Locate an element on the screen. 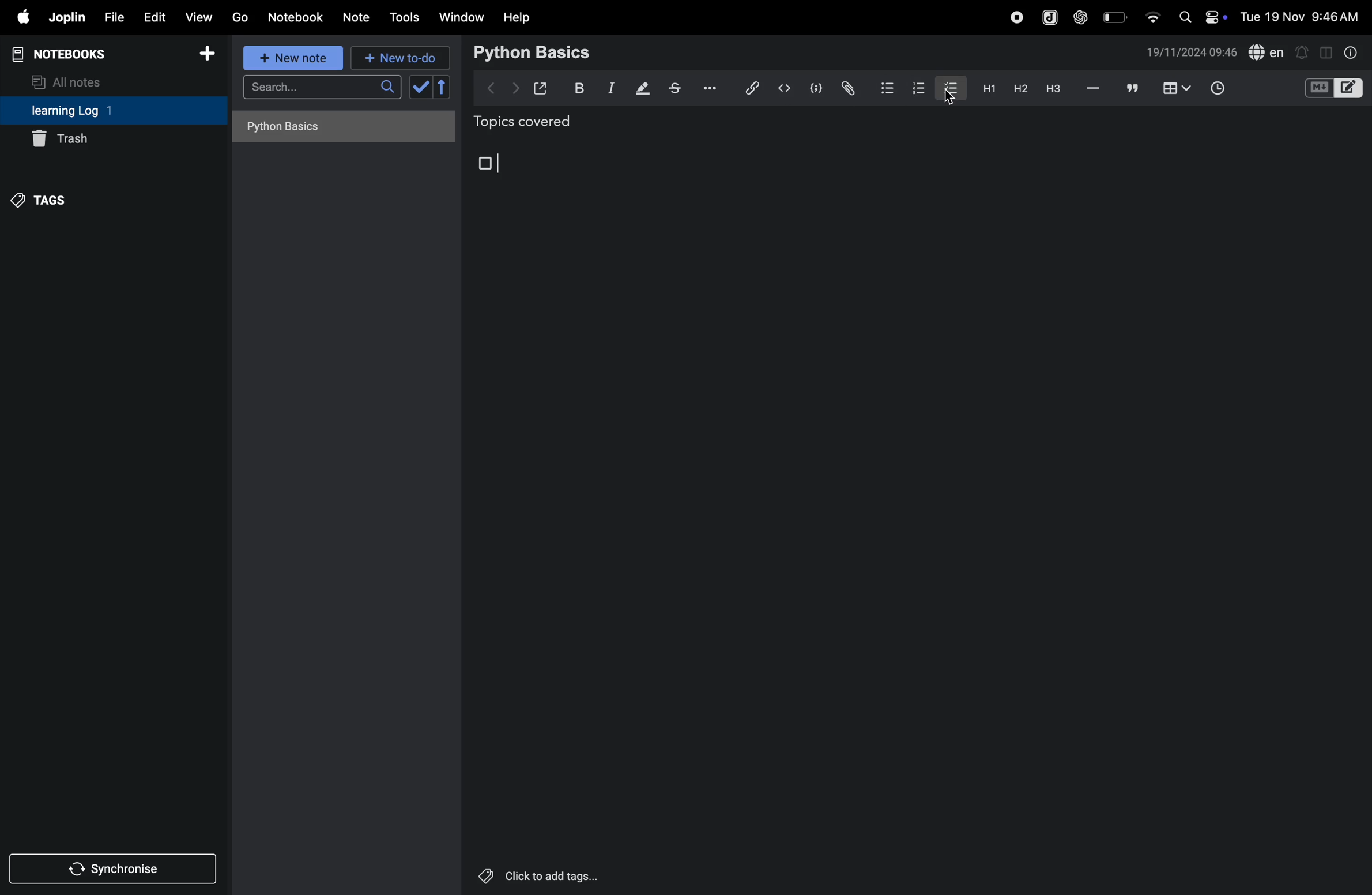 The width and height of the screenshot is (1372, 895). numbered list is located at coordinates (915, 87).